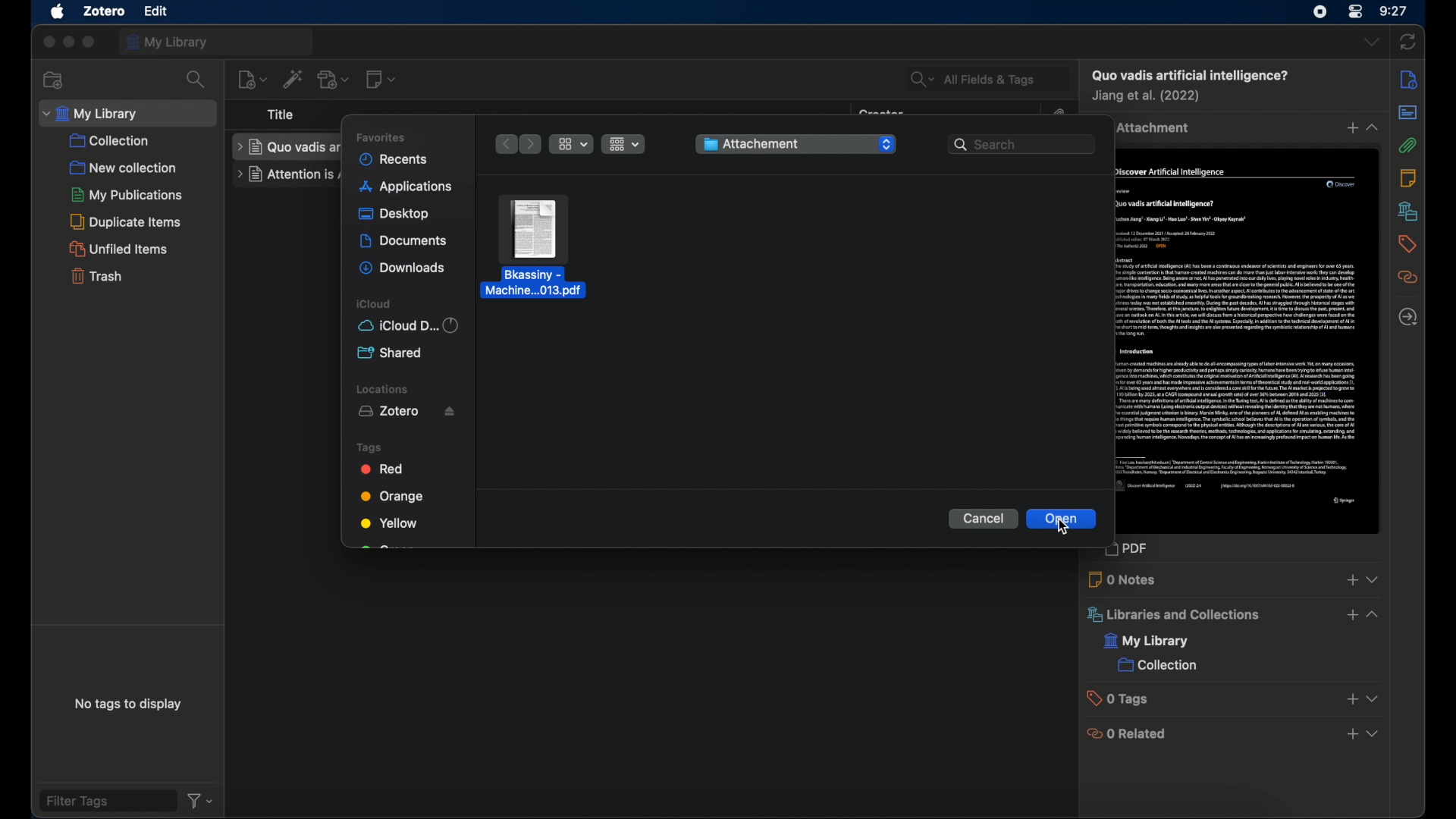 Image resolution: width=1456 pixels, height=819 pixels. I want to click on item , so click(1188, 75).